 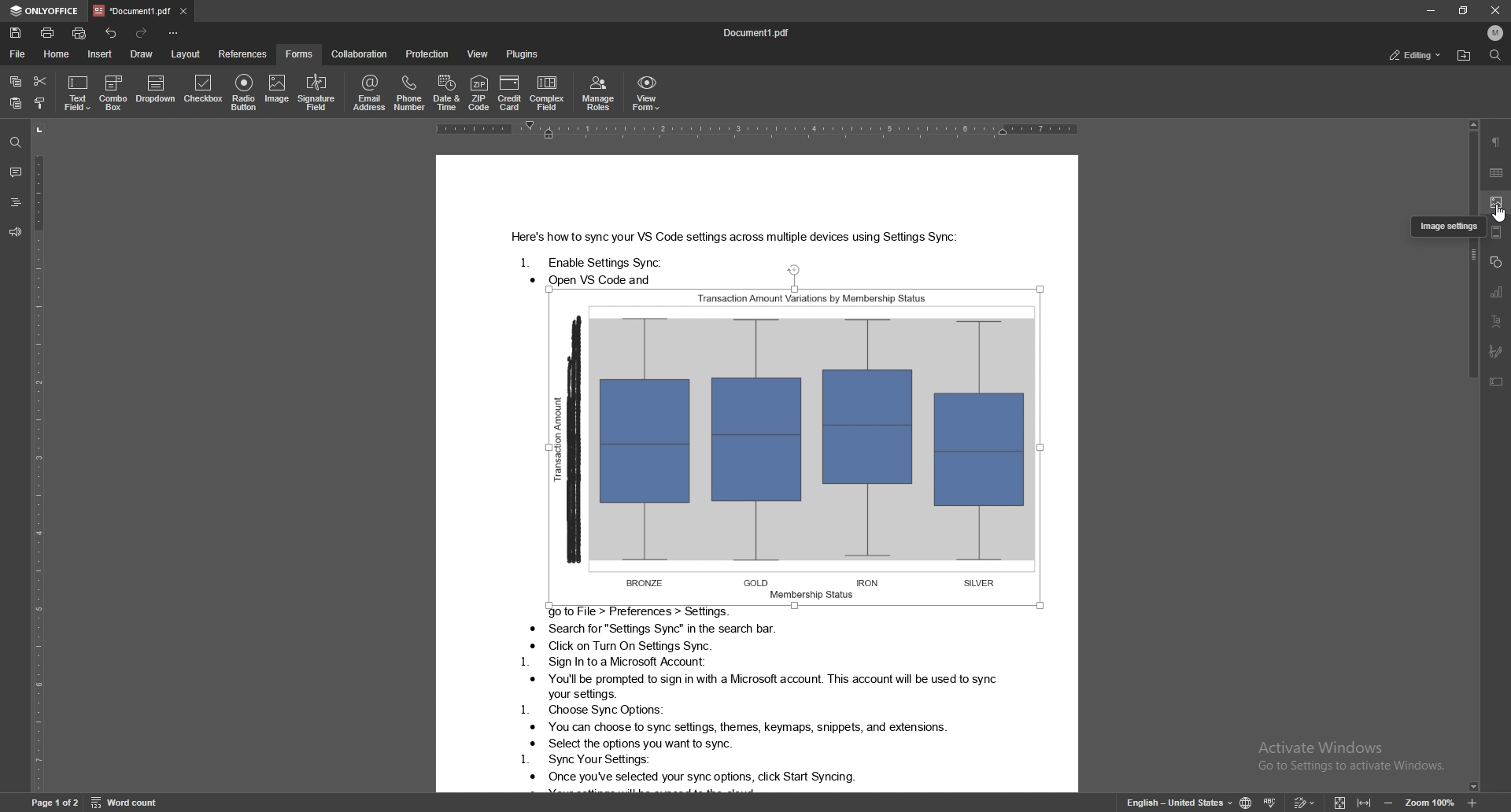 What do you see at coordinates (113, 33) in the screenshot?
I see `undo` at bounding box center [113, 33].